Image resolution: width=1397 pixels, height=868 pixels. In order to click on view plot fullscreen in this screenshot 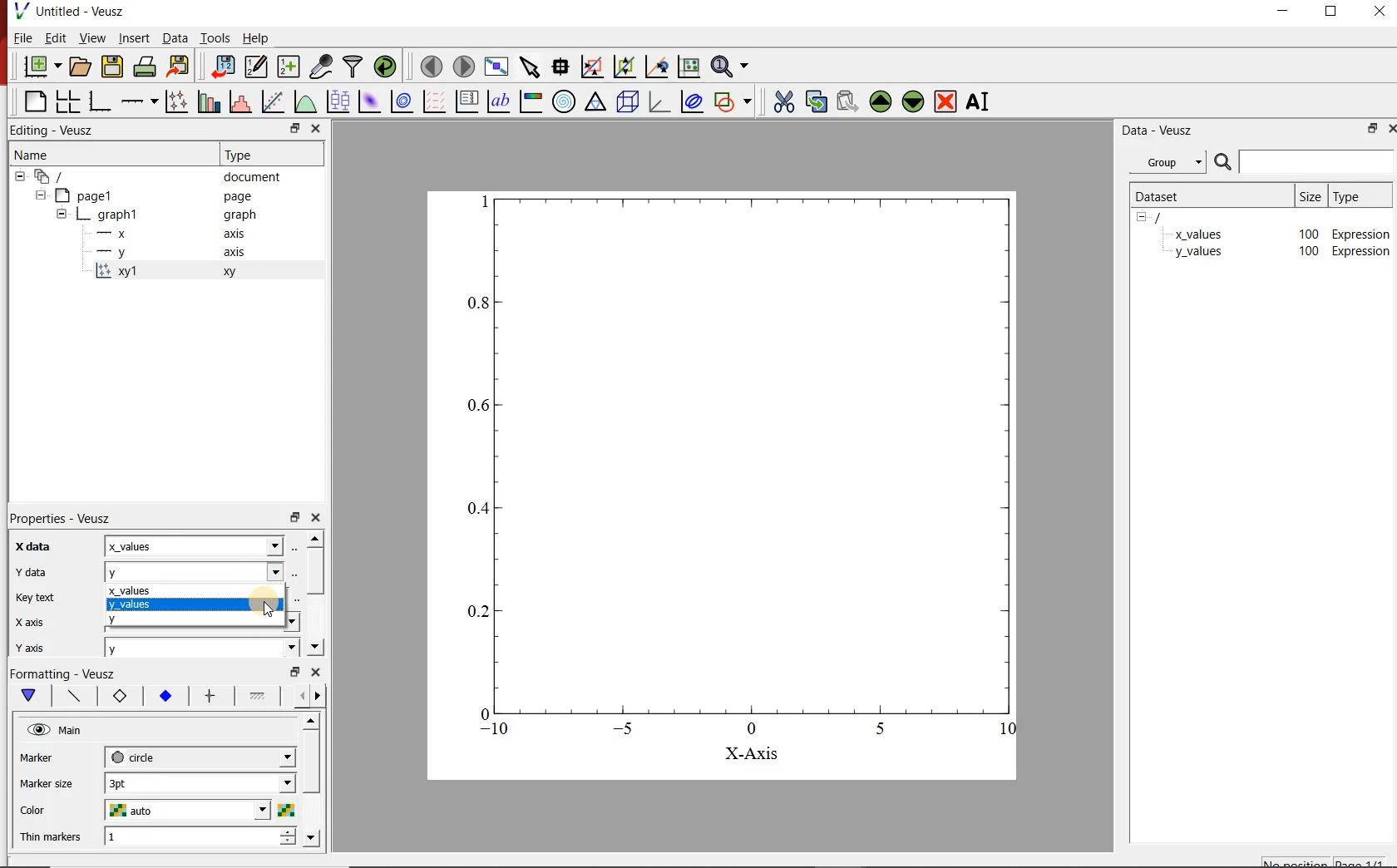, I will do `click(499, 67)`.